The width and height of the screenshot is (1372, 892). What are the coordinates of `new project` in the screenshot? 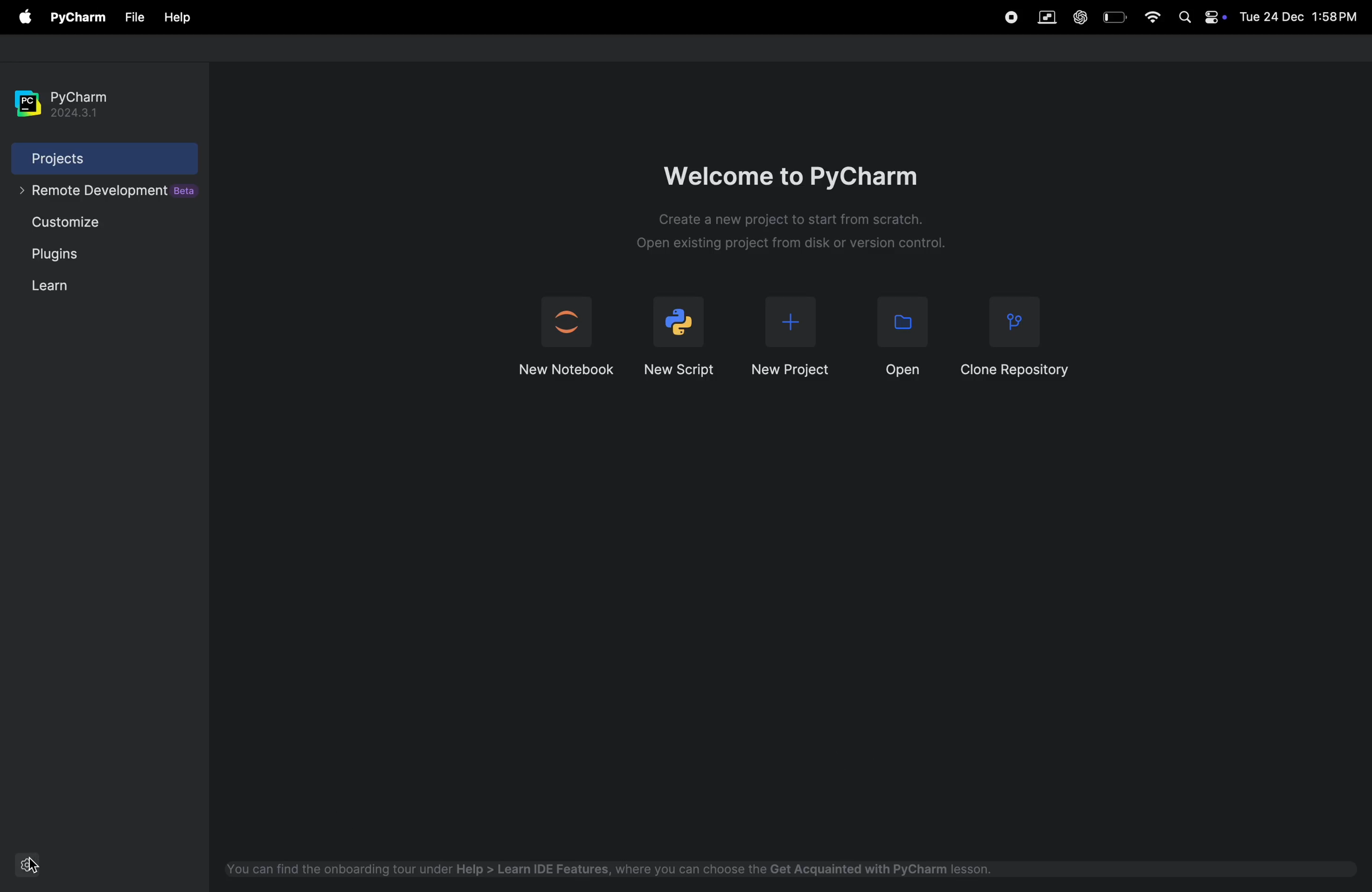 It's located at (682, 334).